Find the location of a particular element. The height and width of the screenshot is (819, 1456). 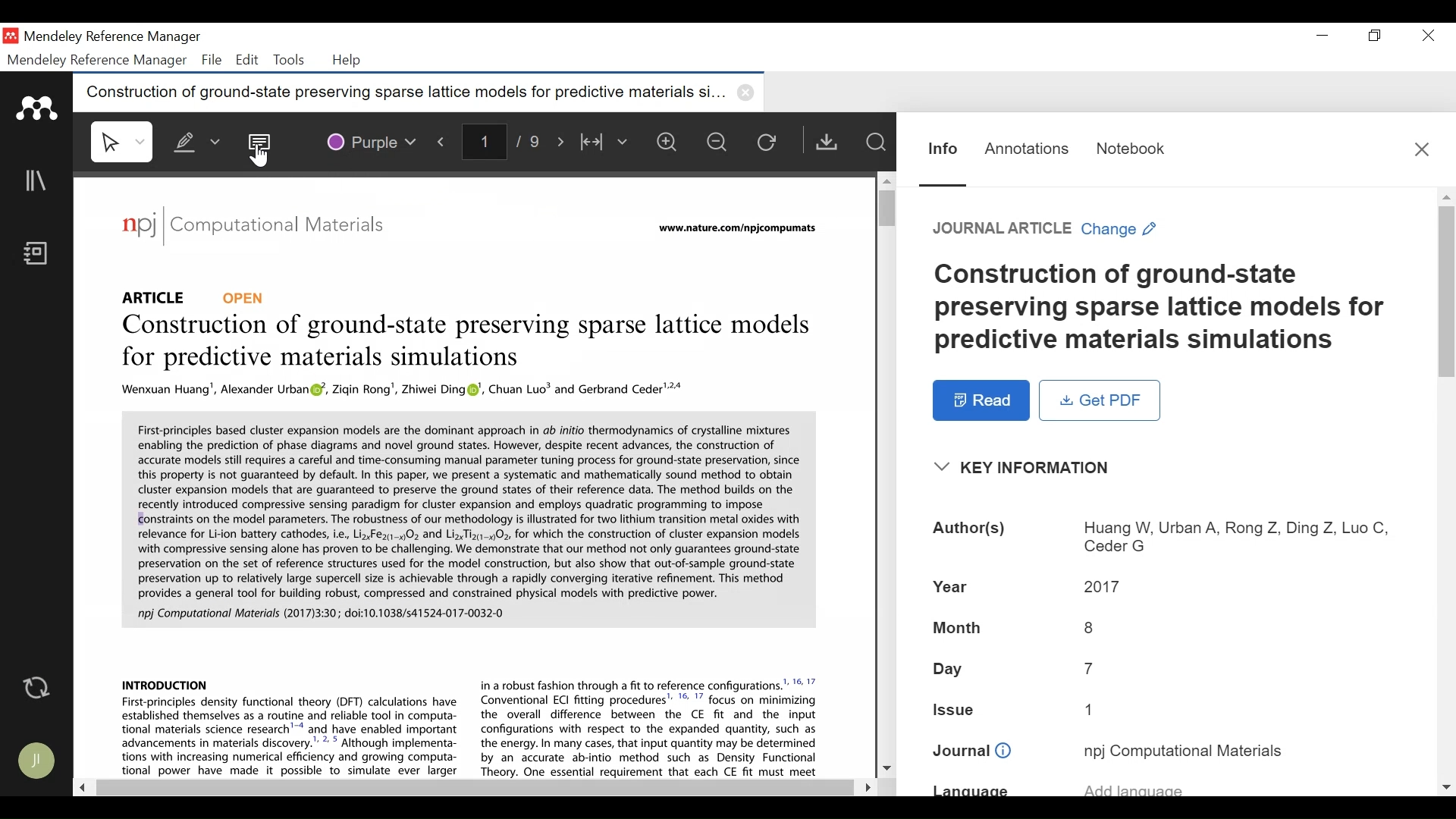

minimize is located at coordinates (1323, 36).